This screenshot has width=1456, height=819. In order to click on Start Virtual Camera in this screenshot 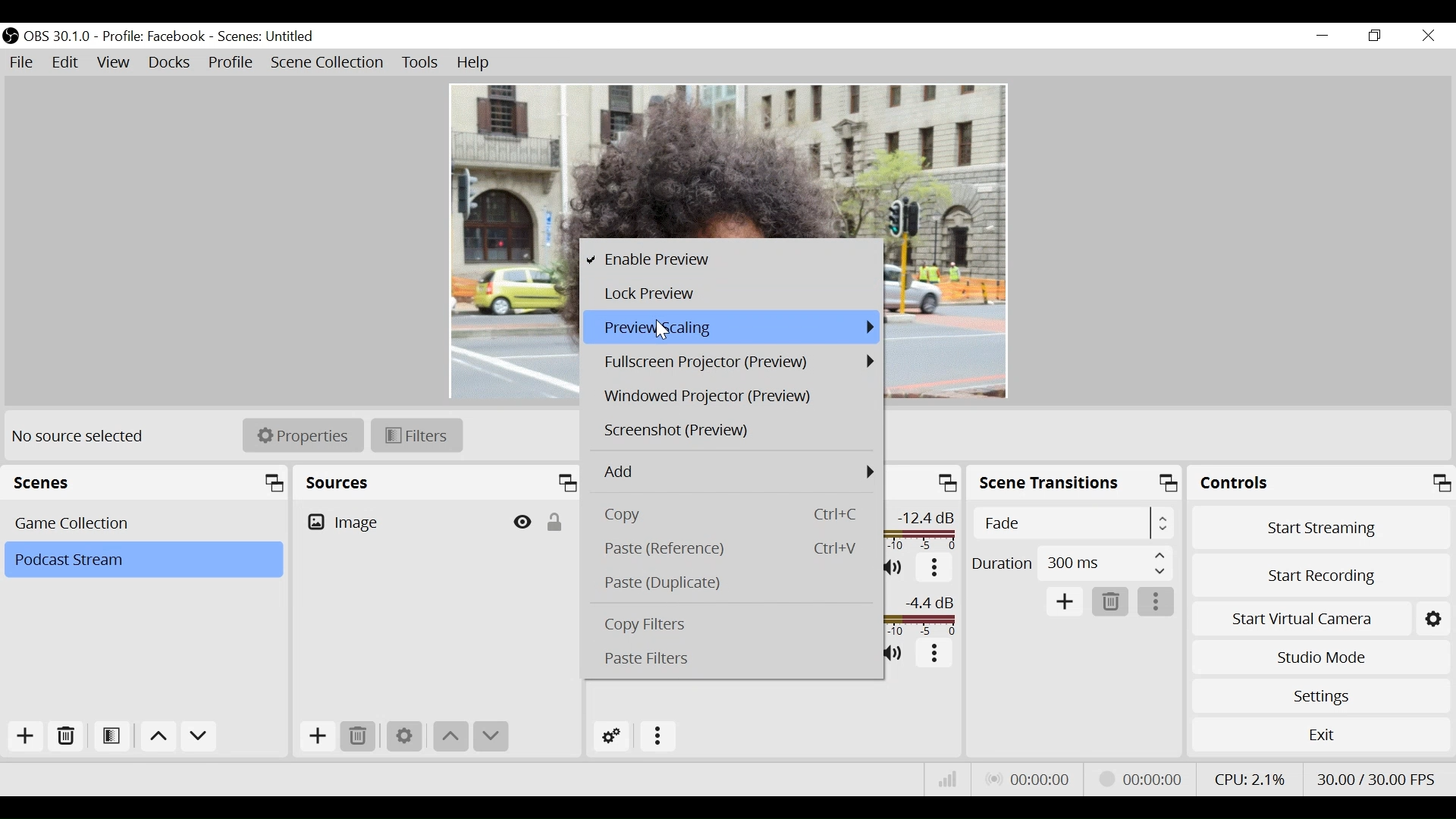, I will do `click(1323, 617)`.